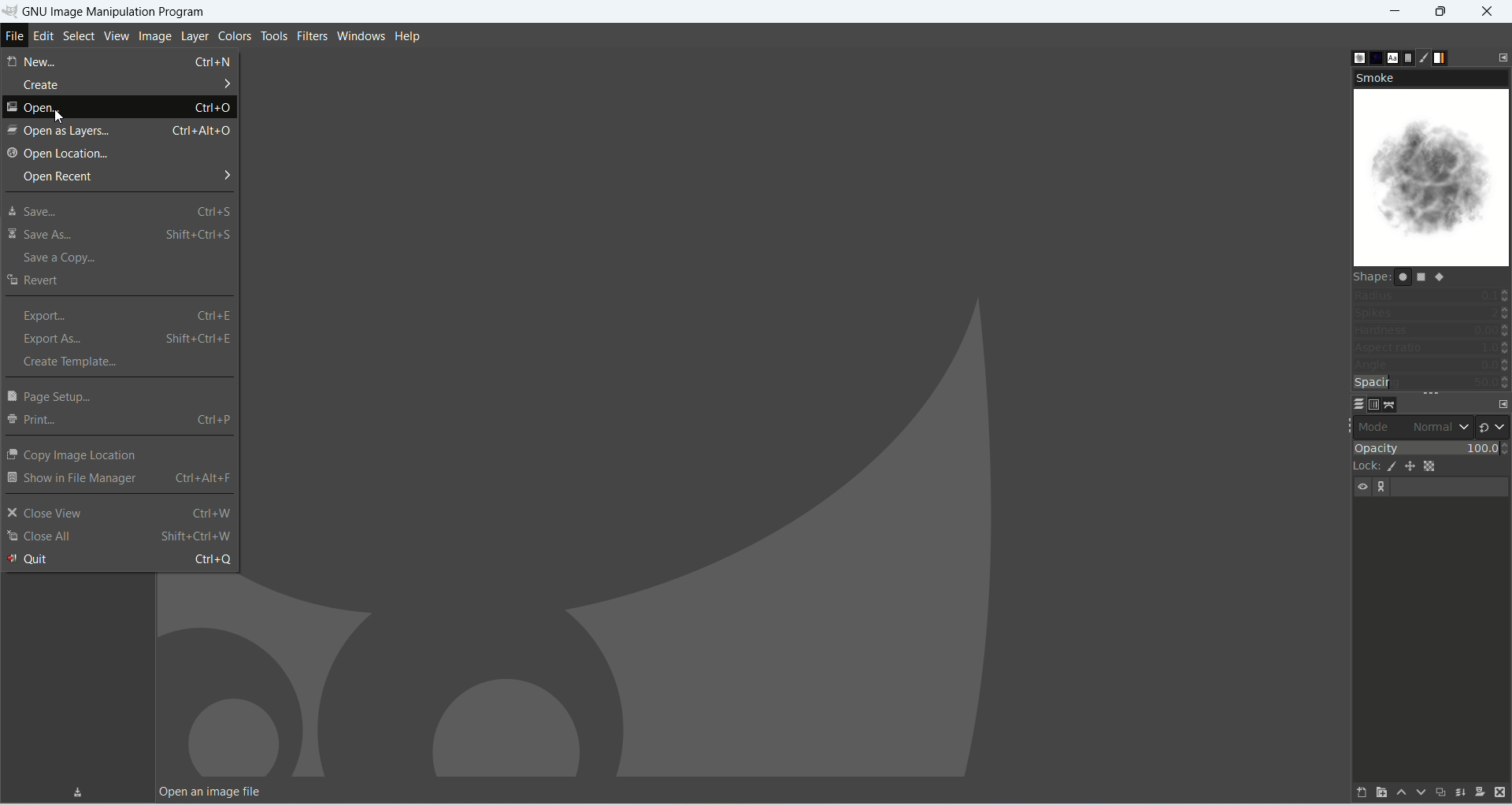 This screenshot has width=1512, height=805. I want to click on new, so click(120, 61).